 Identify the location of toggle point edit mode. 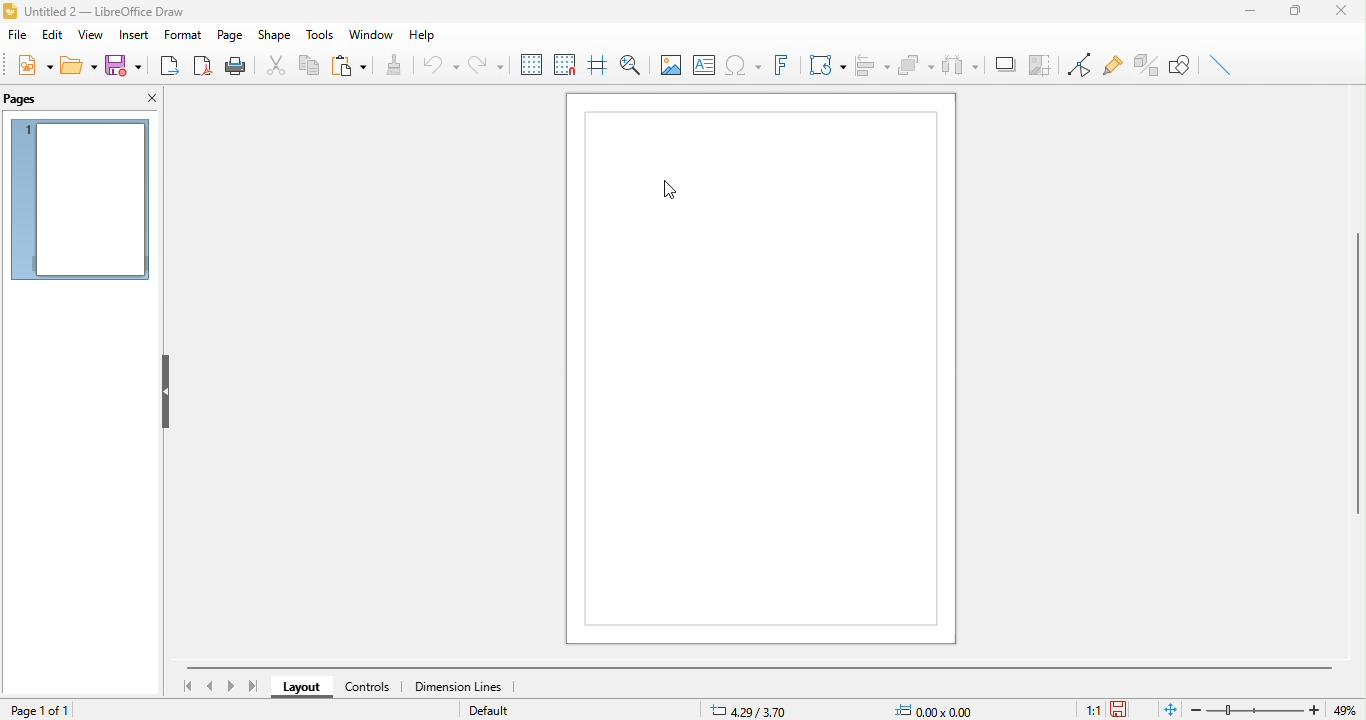
(1079, 67).